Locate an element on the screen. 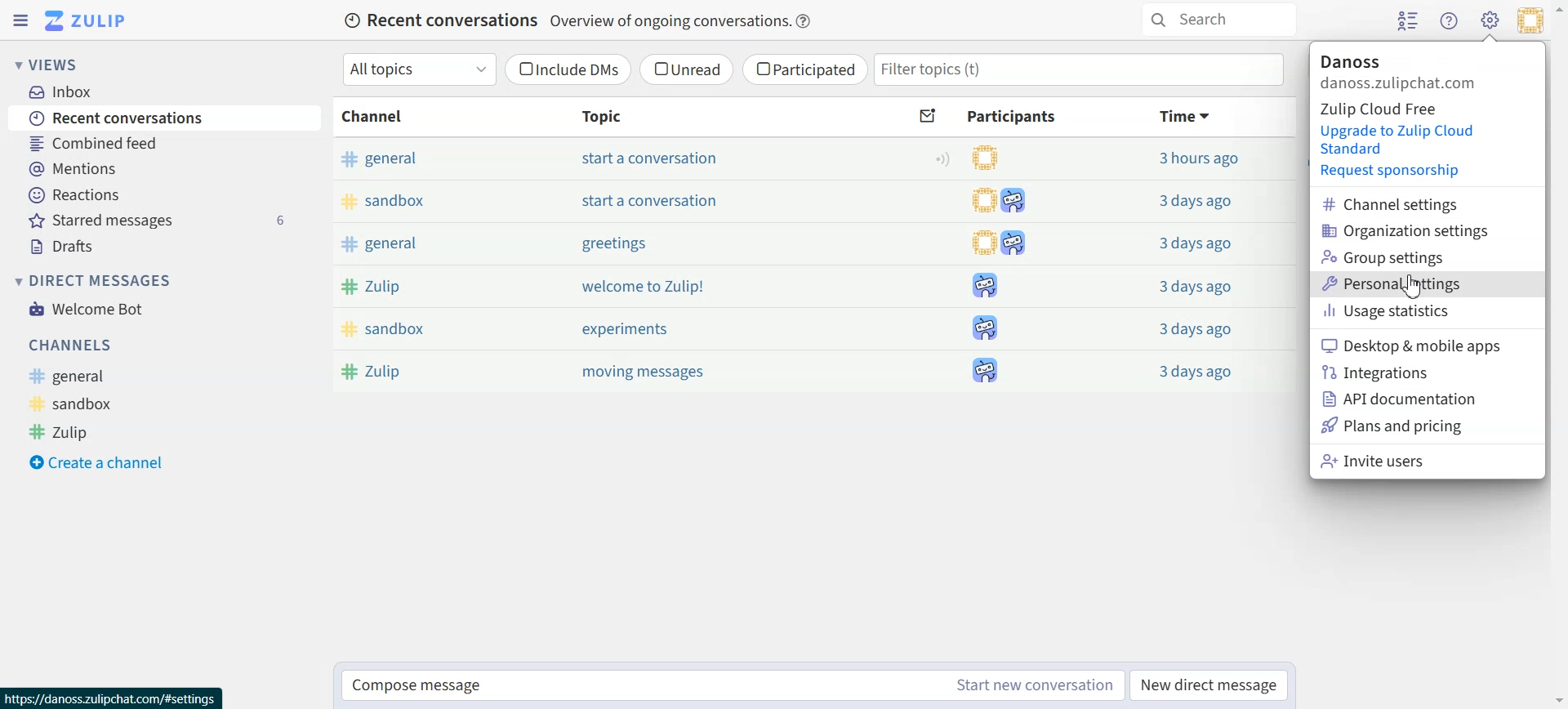 The width and height of the screenshot is (1568, 709). moving messages is located at coordinates (646, 372).